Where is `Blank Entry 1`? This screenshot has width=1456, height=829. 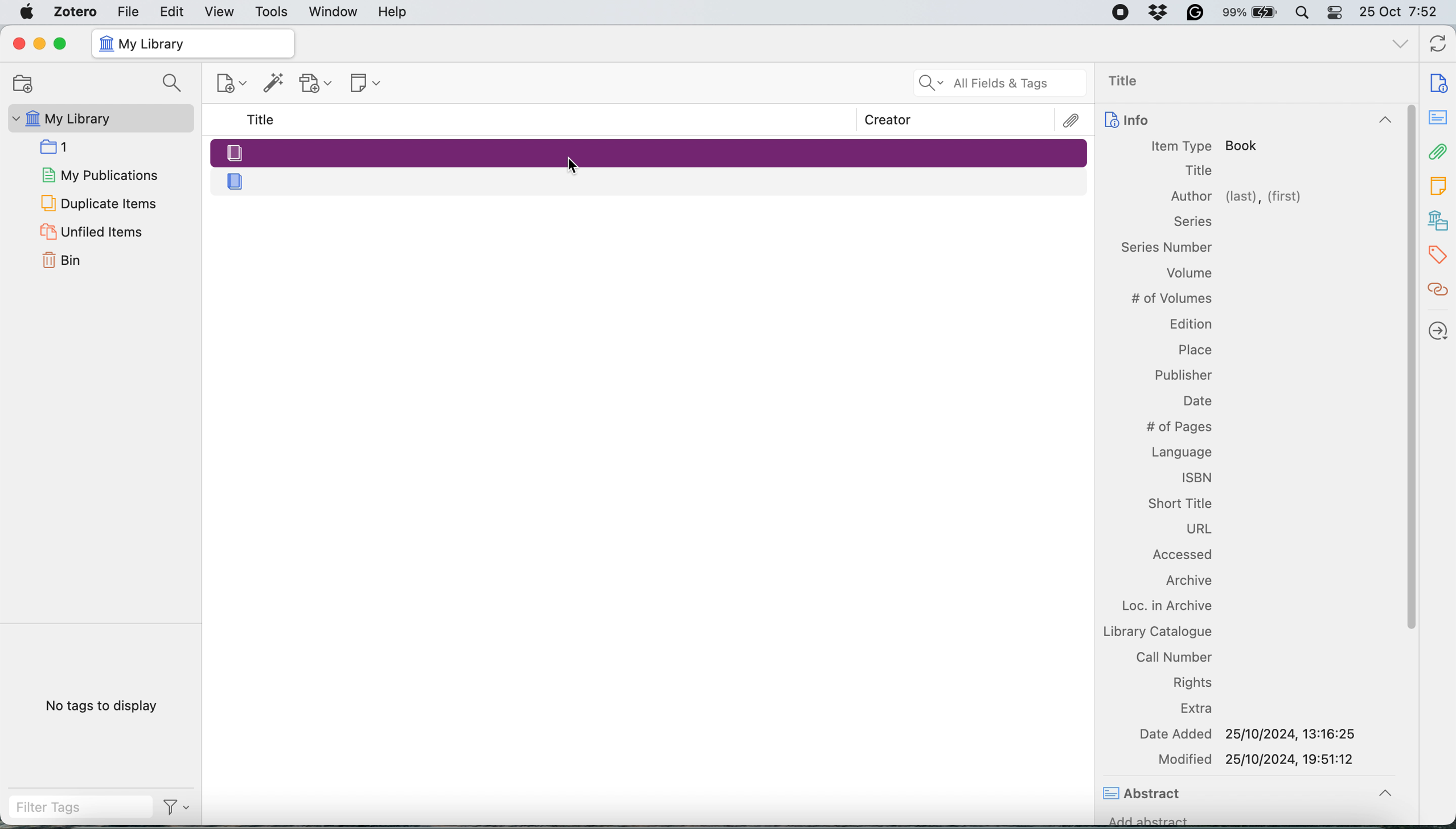
Blank Entry 1 is located at coordinates (648, 151).